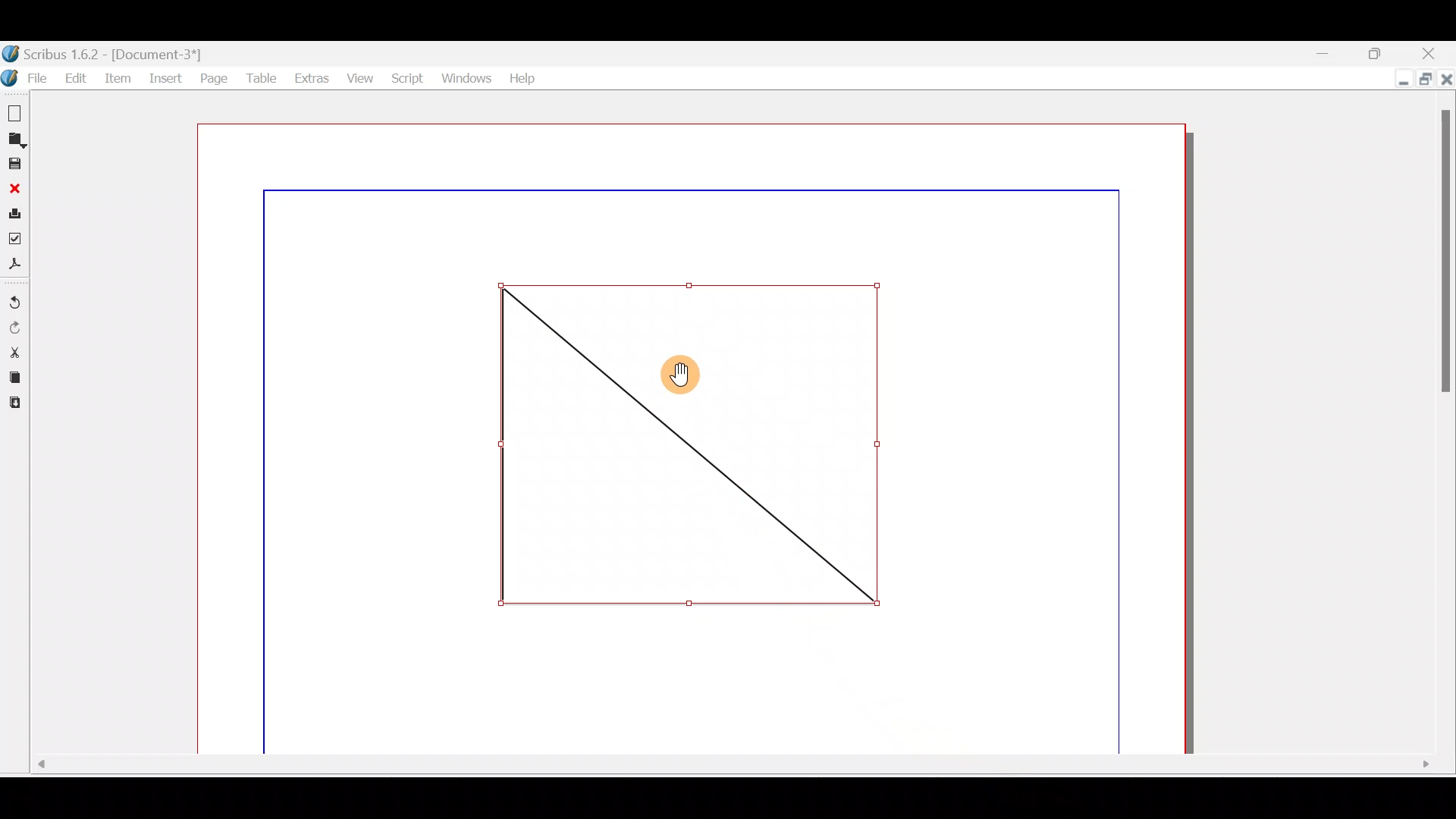  I want to click on Maximise, so click(1426, 80).